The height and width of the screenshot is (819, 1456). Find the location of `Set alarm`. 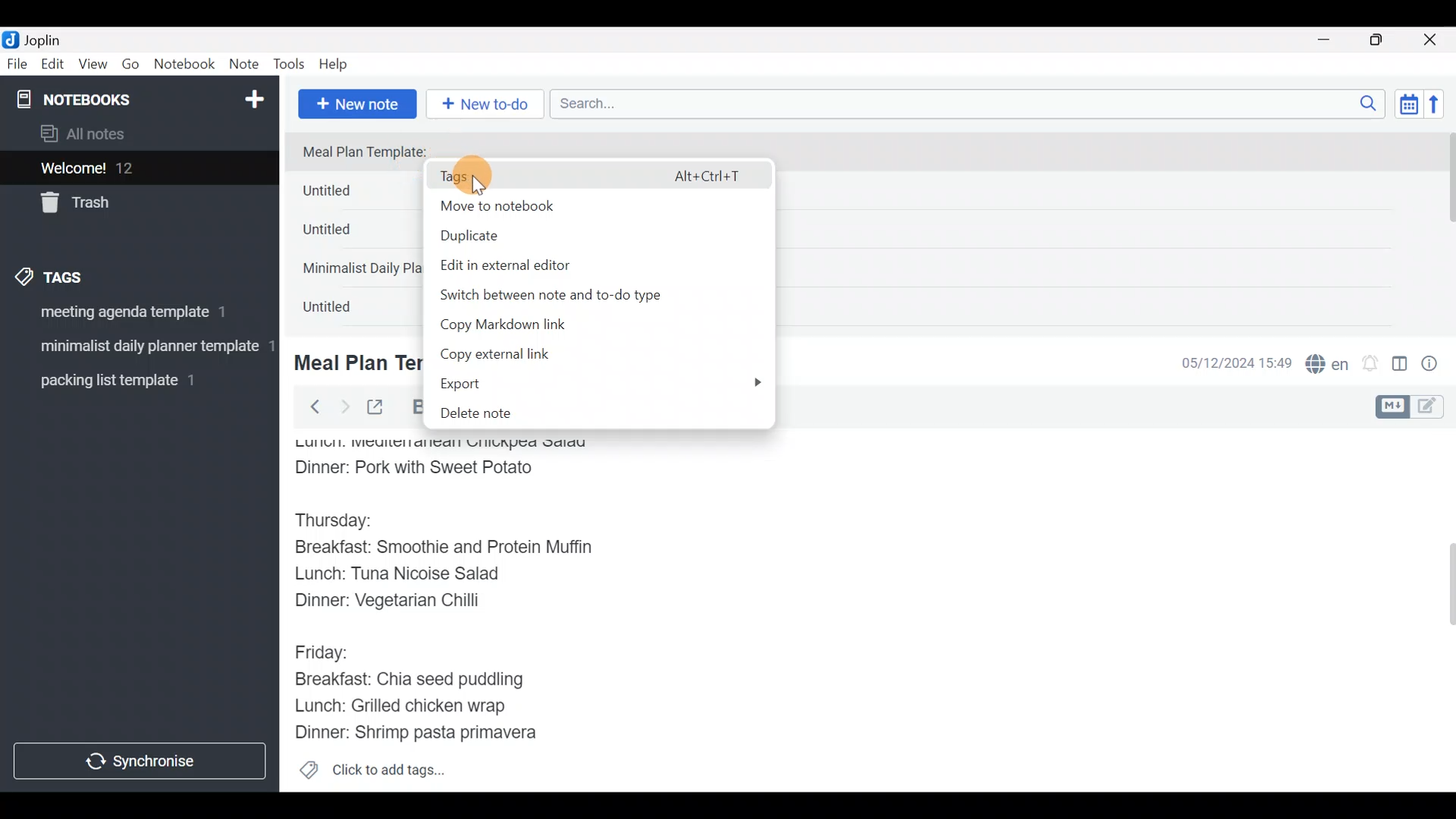

Set alarm is located at coordinates (1371, 365).